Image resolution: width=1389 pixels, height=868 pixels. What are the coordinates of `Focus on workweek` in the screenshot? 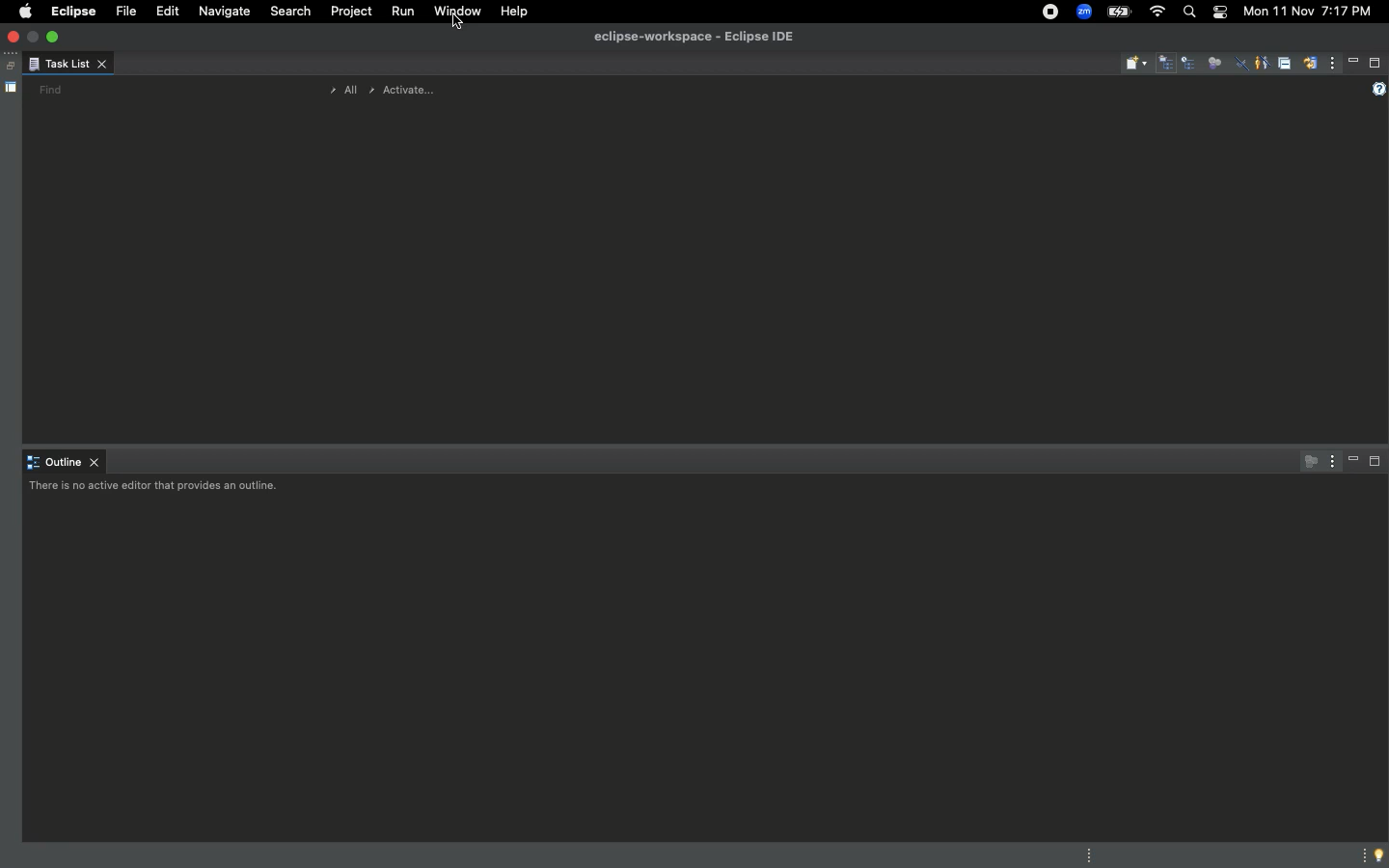 It's located at (1214, 61).